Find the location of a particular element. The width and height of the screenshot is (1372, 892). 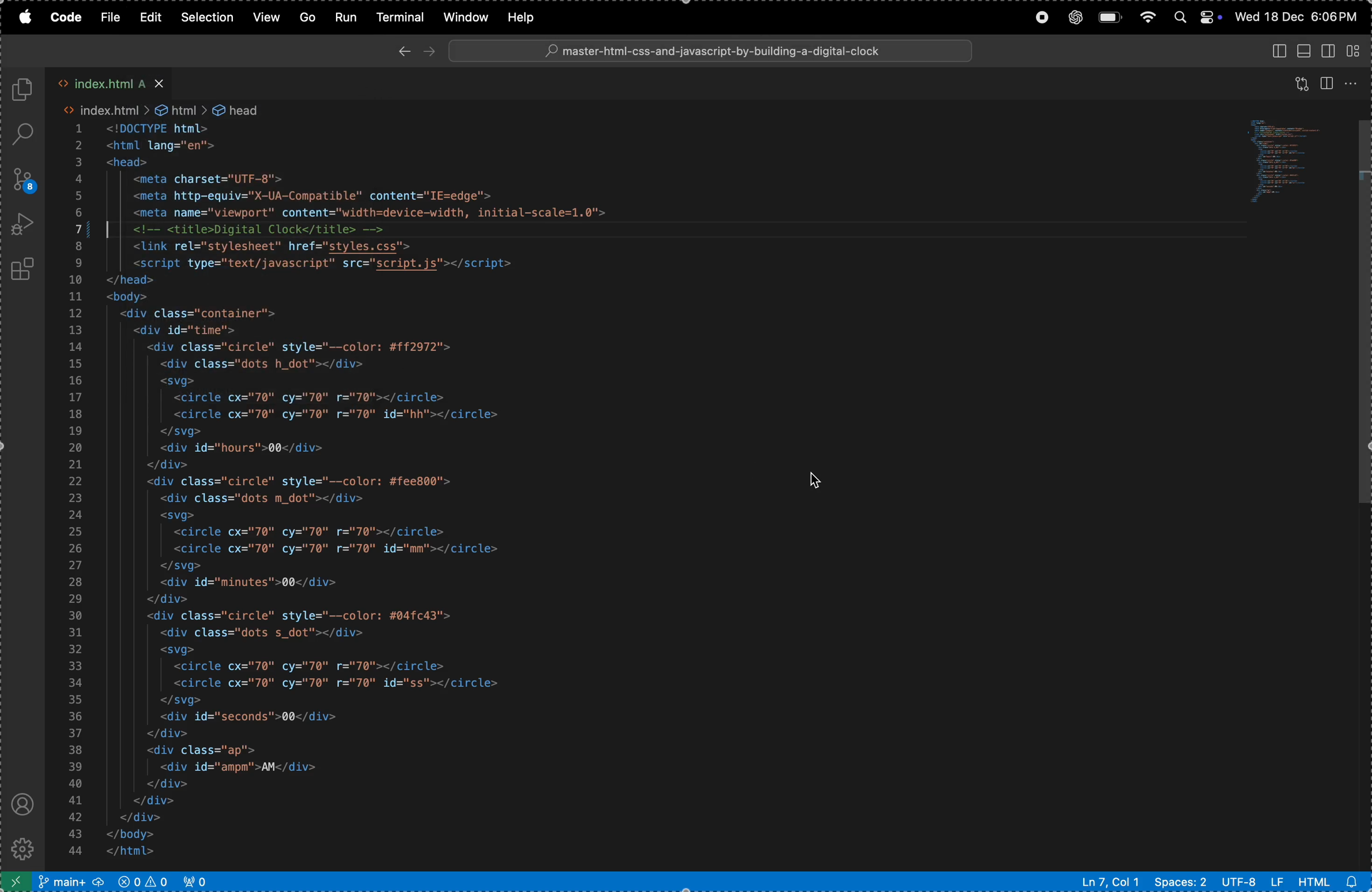

<> index.html A is located at coordinates (114, 81).